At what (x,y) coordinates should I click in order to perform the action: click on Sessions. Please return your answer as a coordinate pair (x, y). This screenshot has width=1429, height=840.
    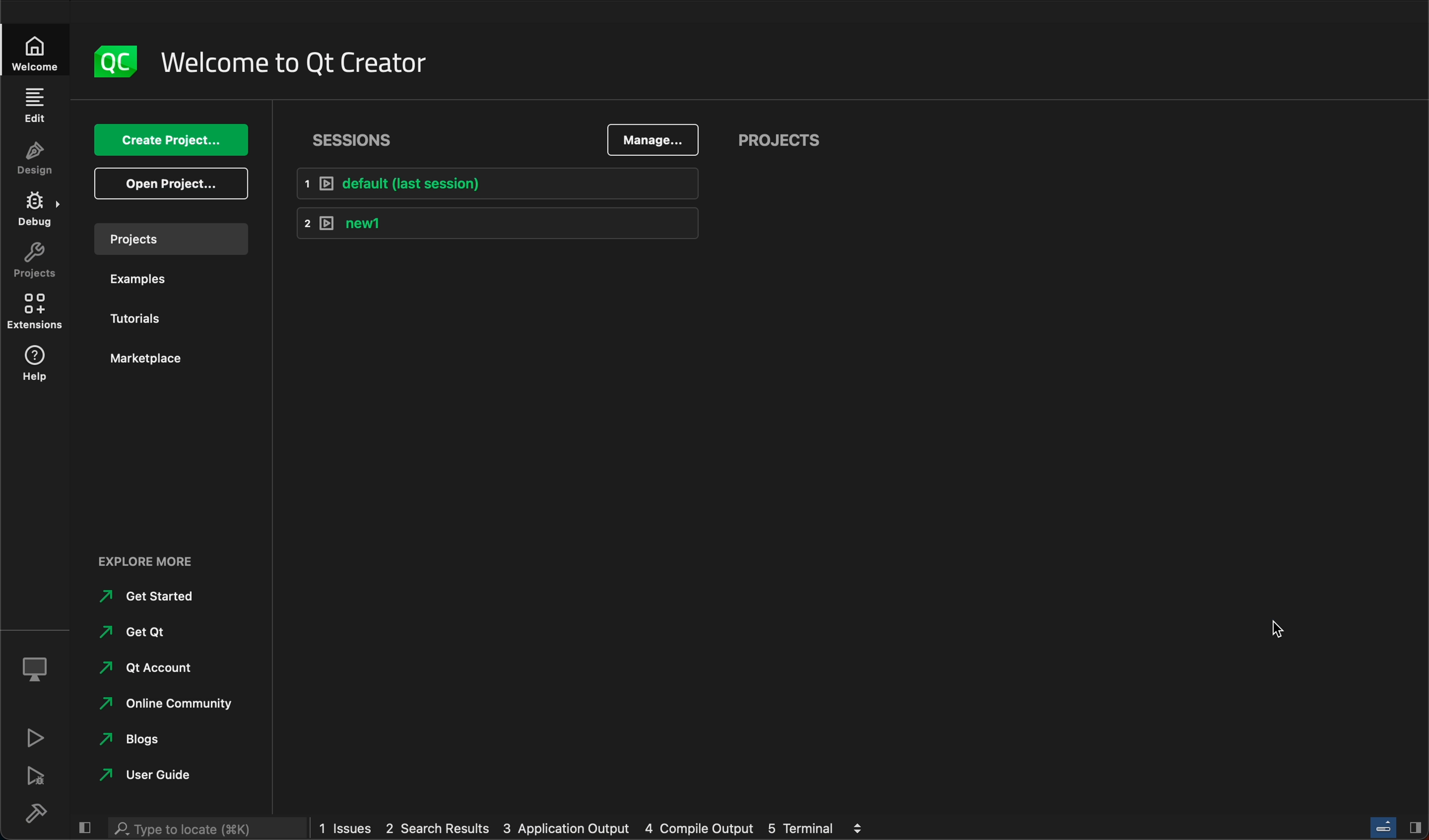
    Looking at the image, I should click on (366, 137).